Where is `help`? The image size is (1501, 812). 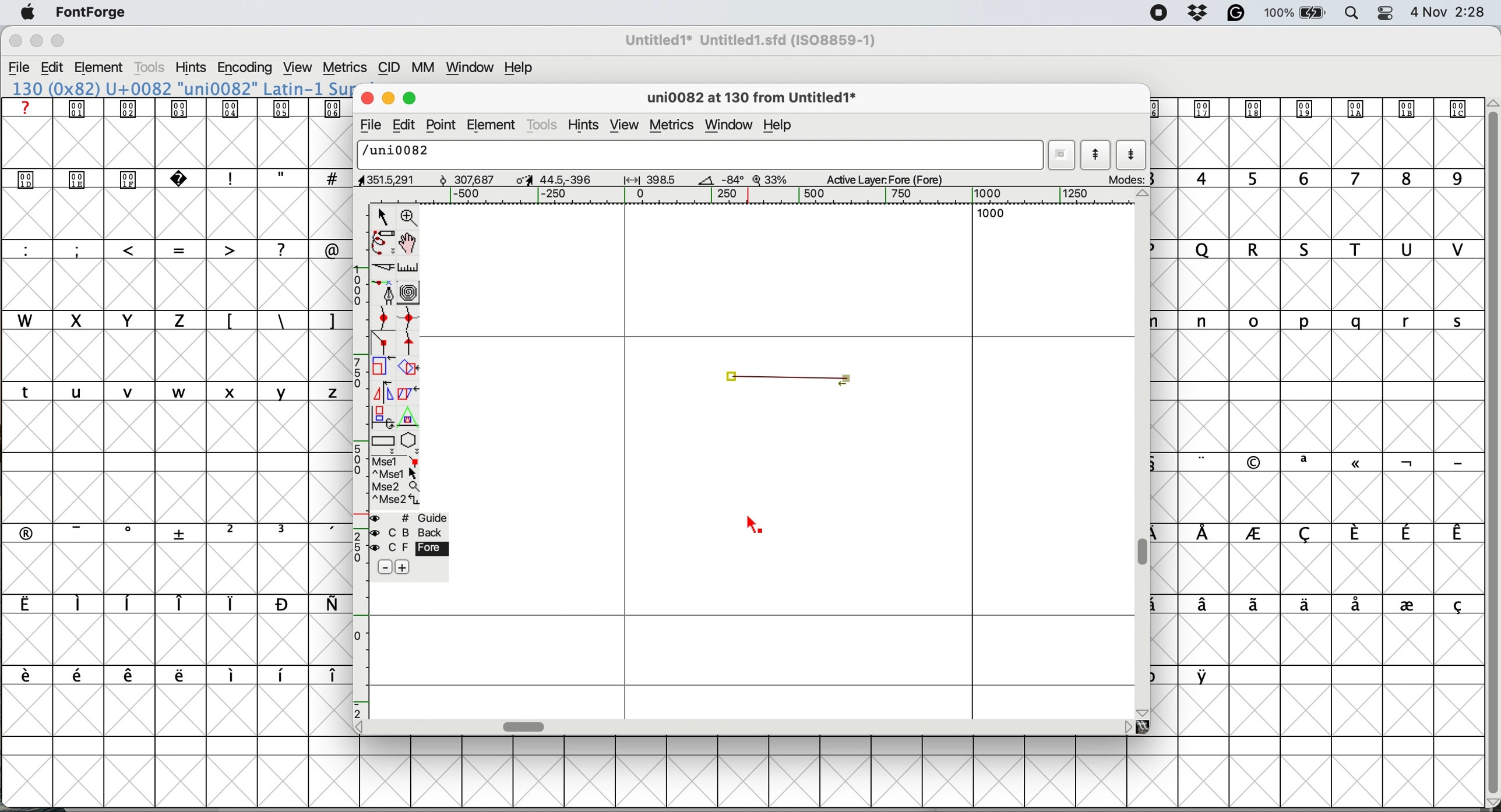 help is located at coordinates (522, 68).